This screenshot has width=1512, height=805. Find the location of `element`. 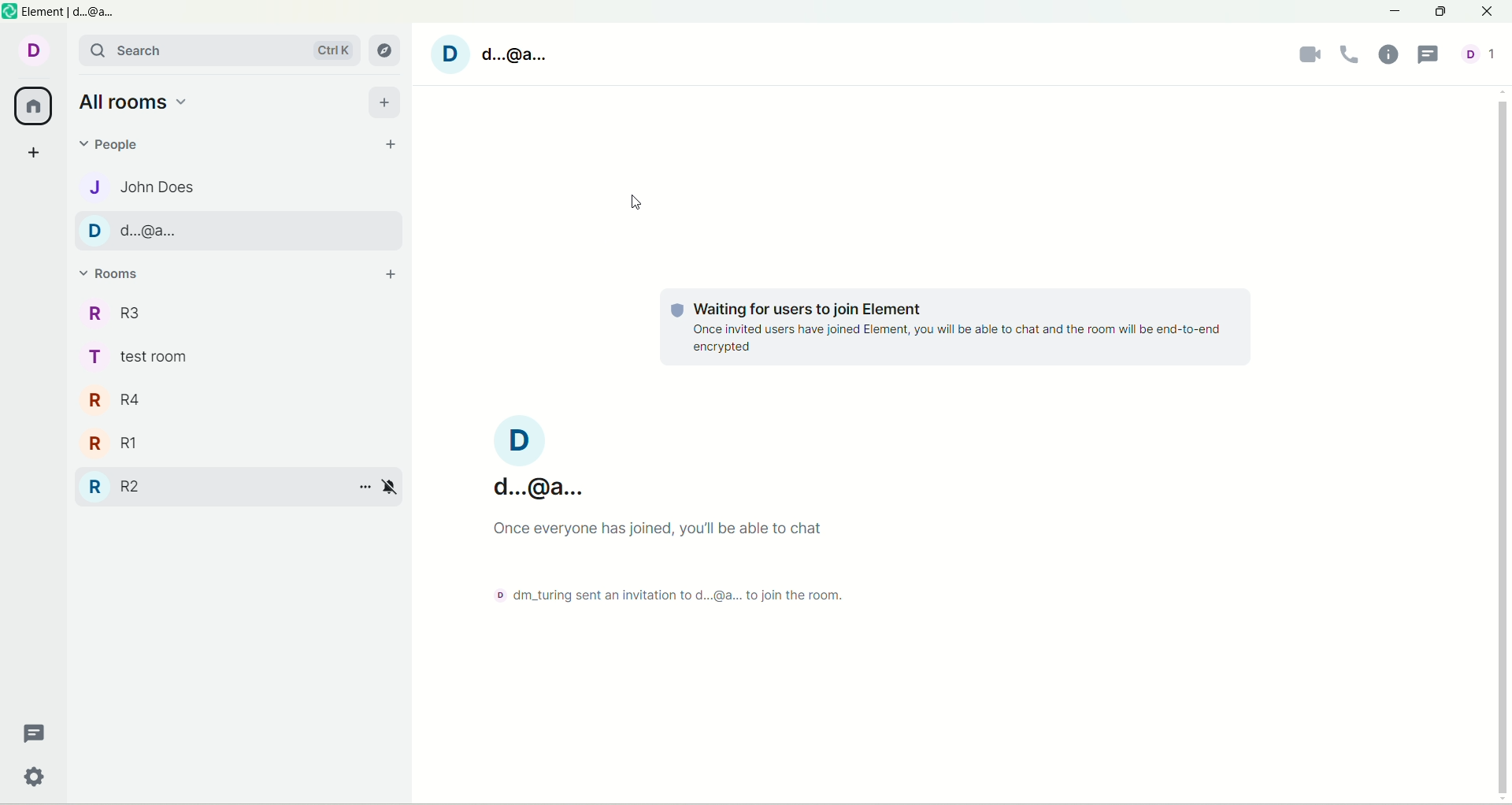

element is located at coordinates (75, 11).